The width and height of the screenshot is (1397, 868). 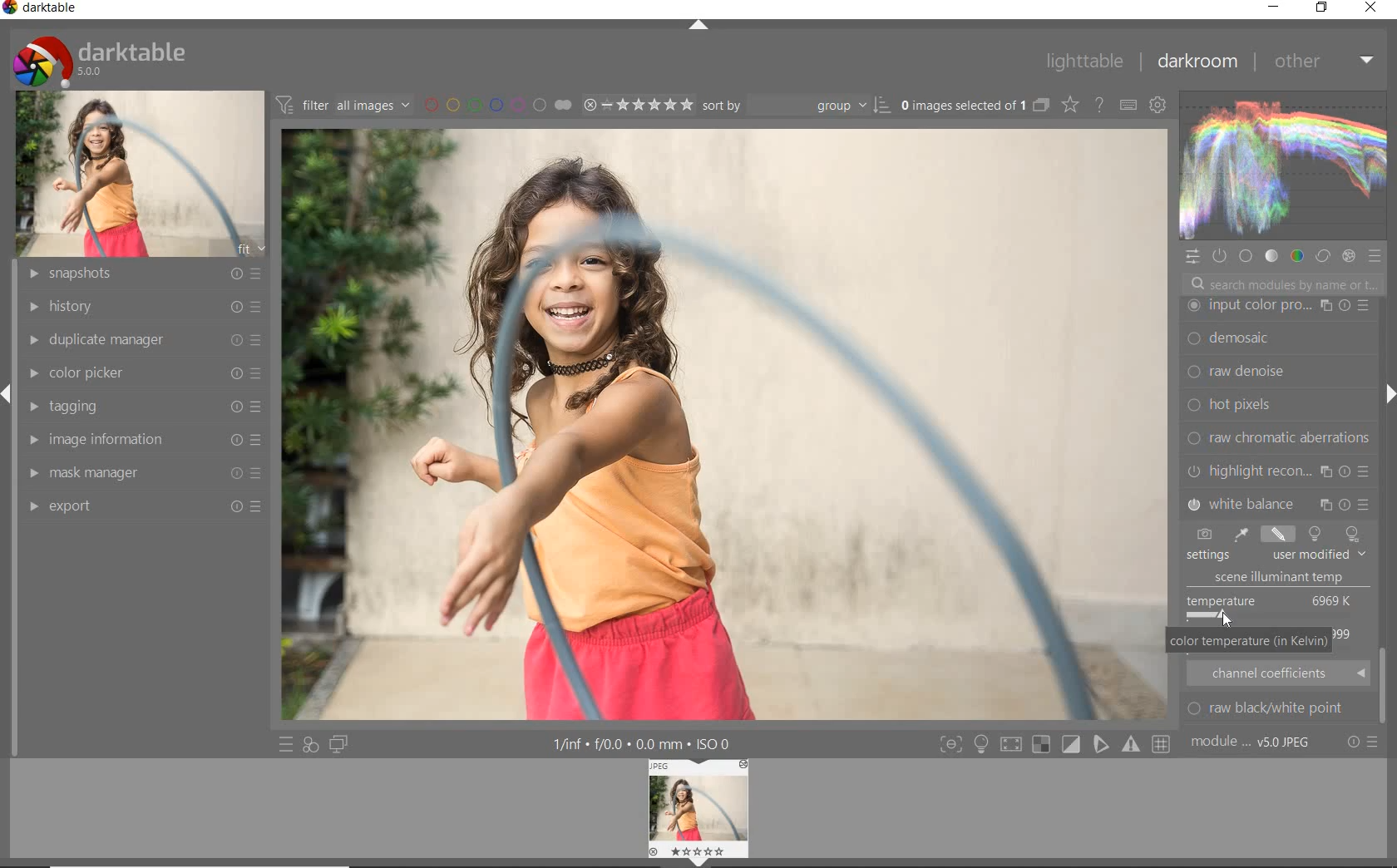 I want to click on show global preference, so click(x=1158, y=106).